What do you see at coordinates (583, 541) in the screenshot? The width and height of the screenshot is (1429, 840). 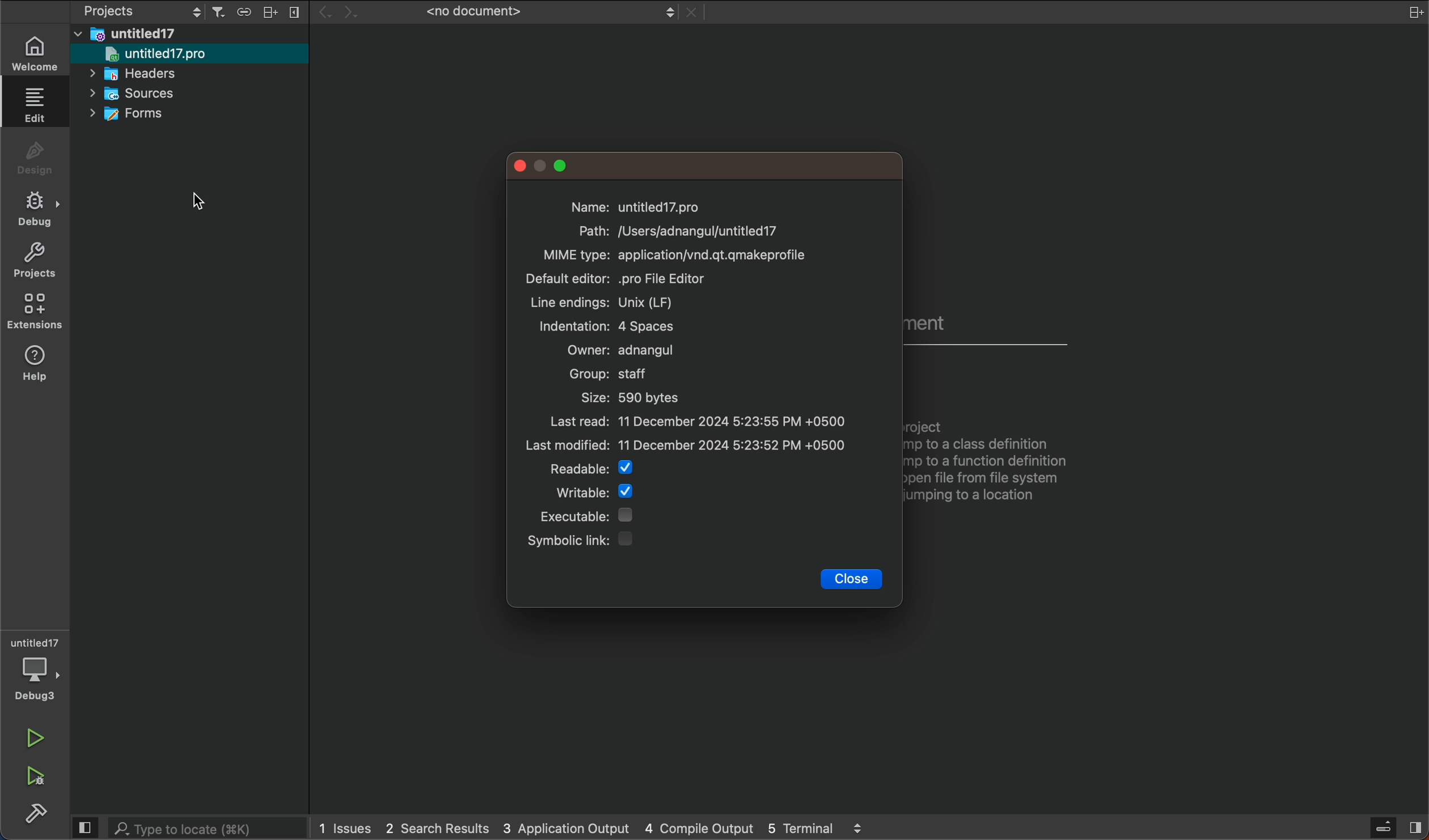 I see `Symbolic link` at bounding box center [583, 541].